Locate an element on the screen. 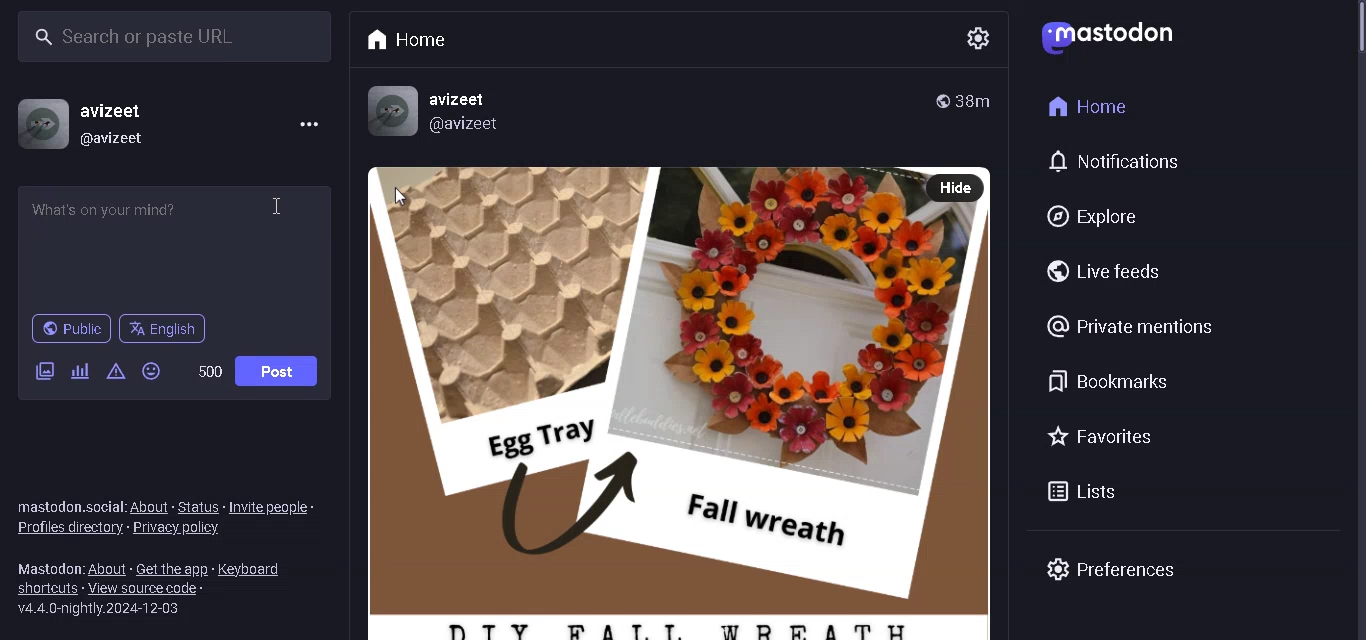 The height and width of the screenshot is (640, 1366). text is located at coordinates (47, 568).